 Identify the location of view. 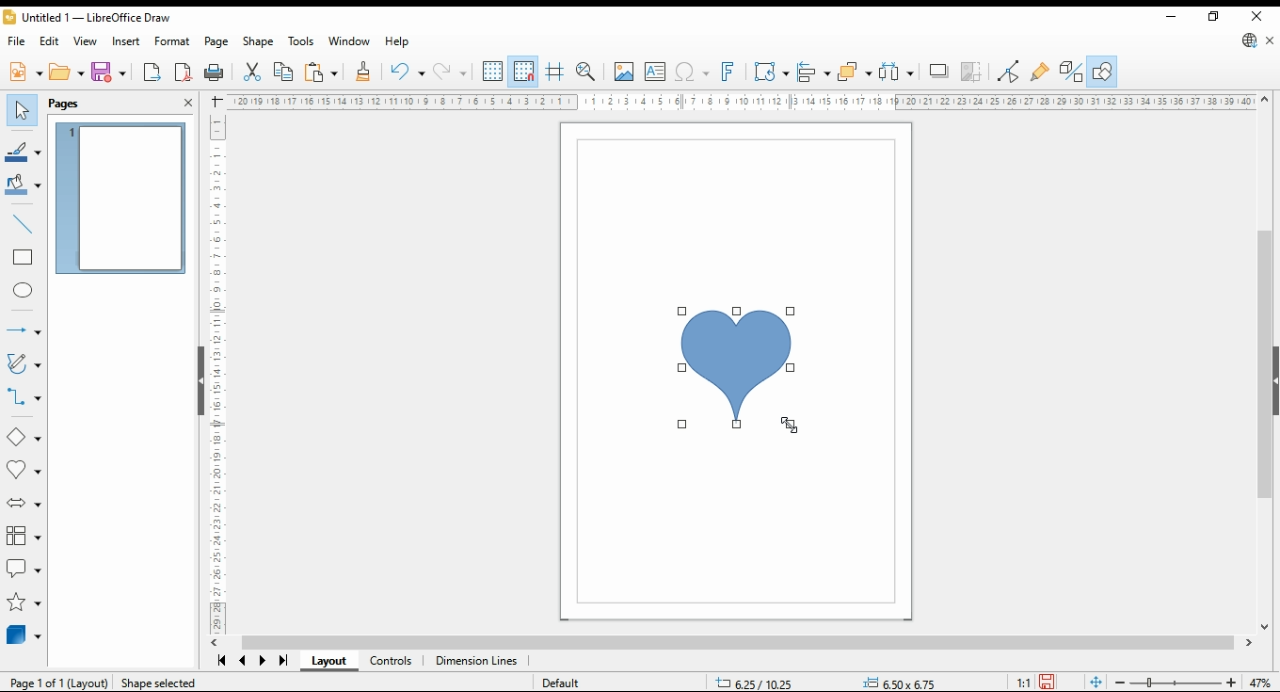
(86, 41).